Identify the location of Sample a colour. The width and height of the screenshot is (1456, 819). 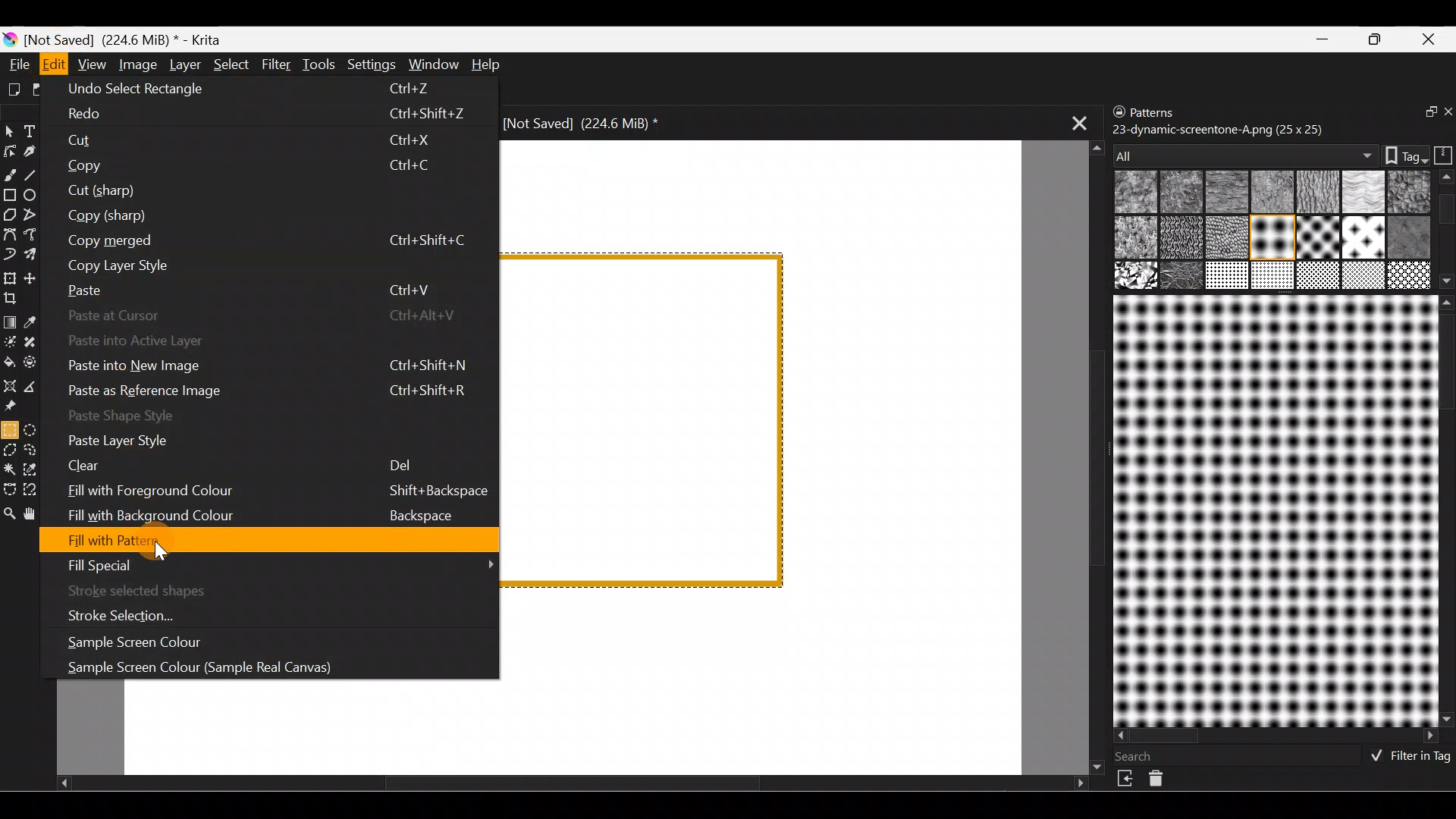
(39, 322).